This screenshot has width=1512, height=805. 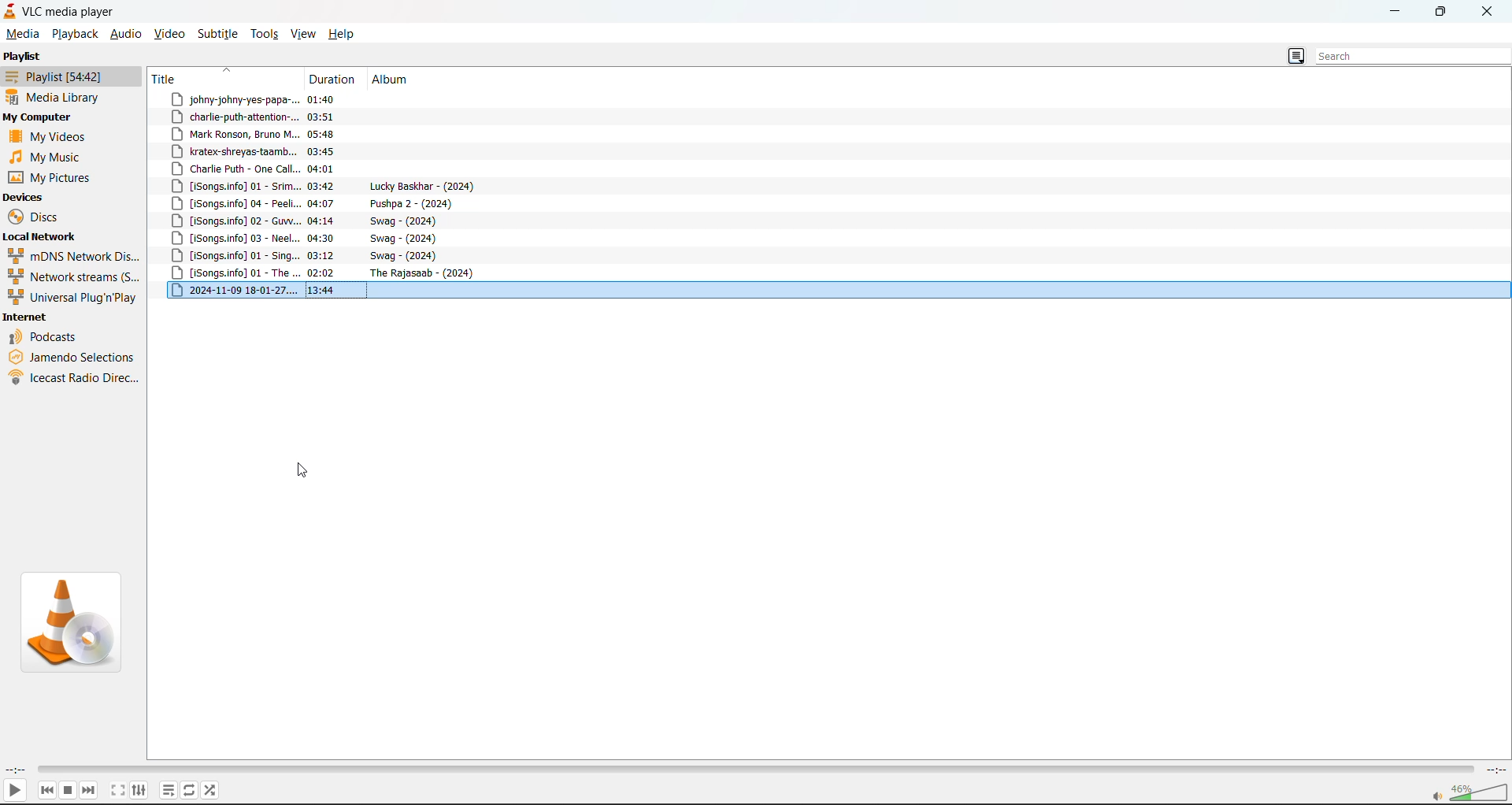 What do you see at coordinates (15, 769) in the screenshot?
I see `current track time` at bounding box center [15, 769].